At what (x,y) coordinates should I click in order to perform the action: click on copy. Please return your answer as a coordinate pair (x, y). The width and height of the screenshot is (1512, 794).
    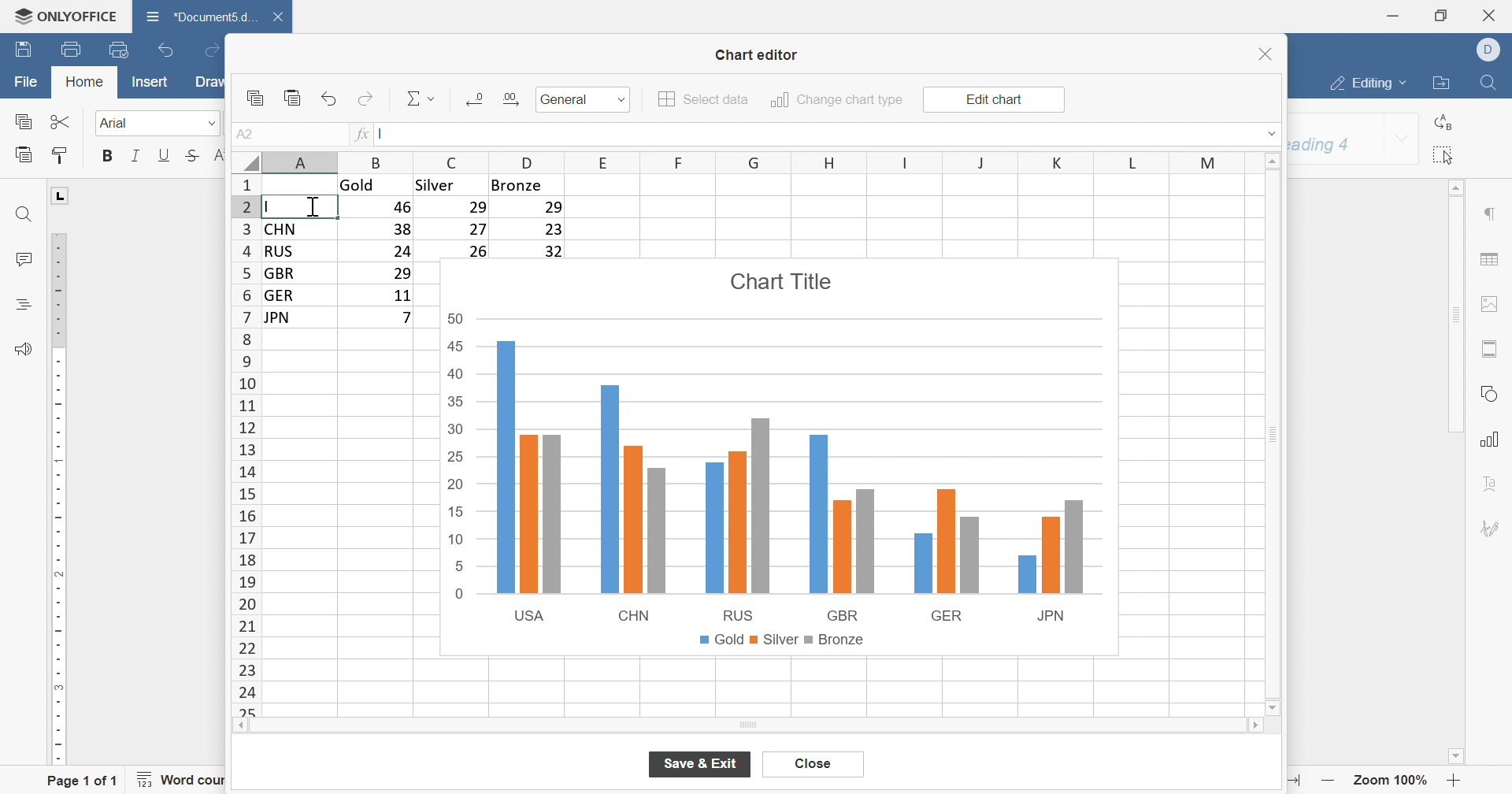
    Looking at the image, I should click on (254, 98).